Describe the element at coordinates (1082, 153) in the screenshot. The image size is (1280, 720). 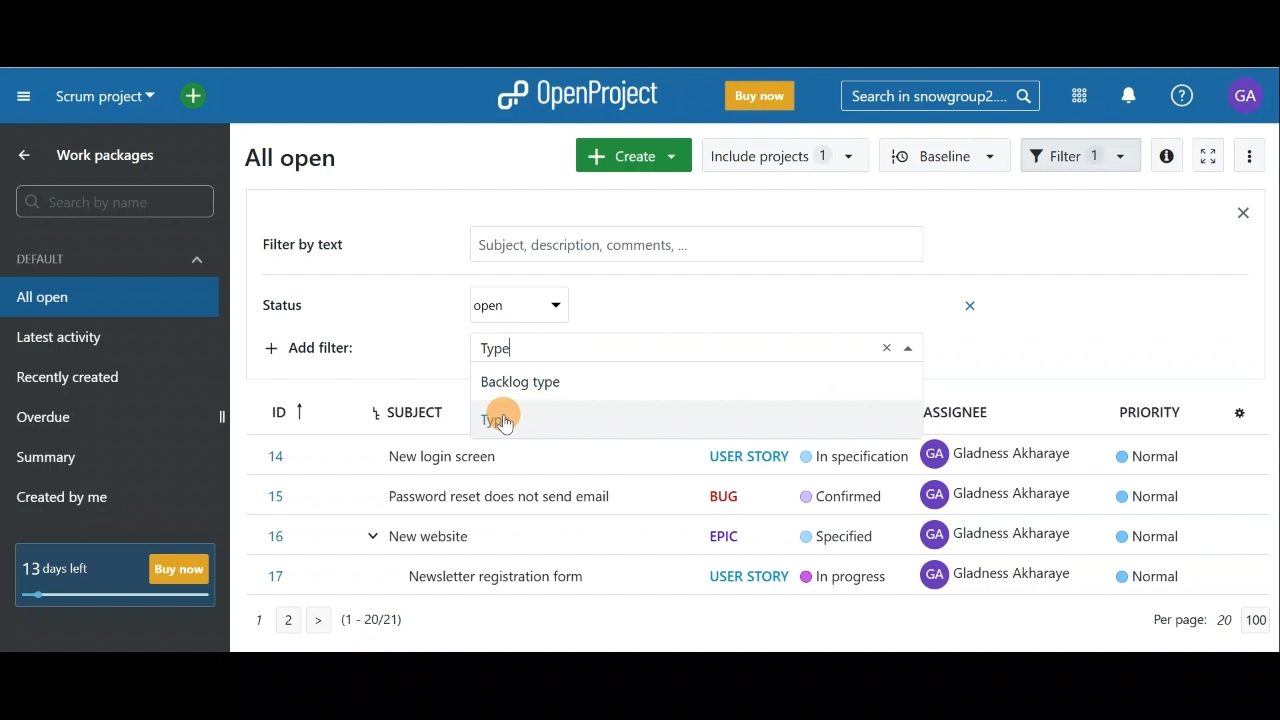
I see `Filter` at that location.